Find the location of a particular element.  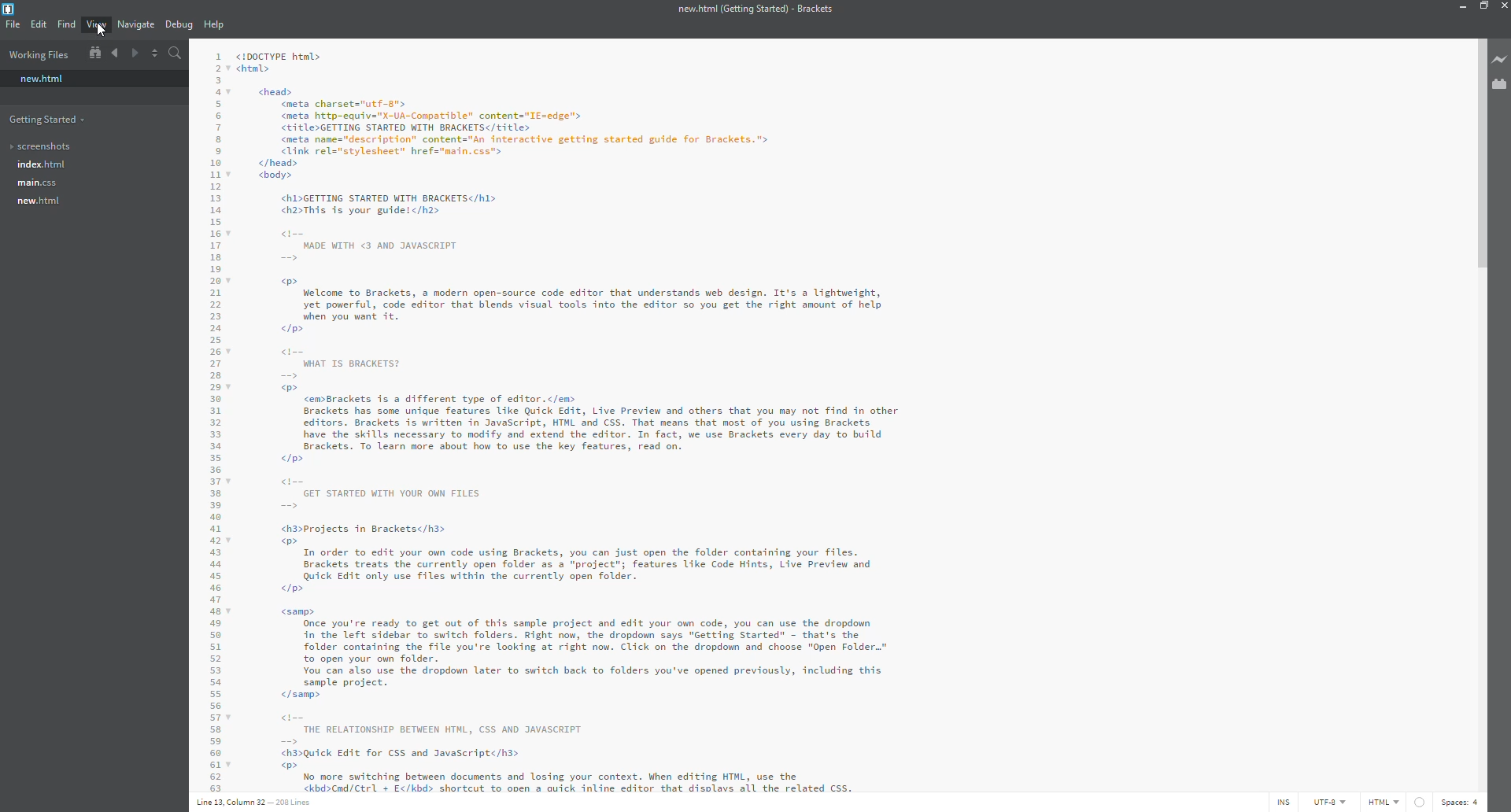

view is located at coordinates (97, 24).